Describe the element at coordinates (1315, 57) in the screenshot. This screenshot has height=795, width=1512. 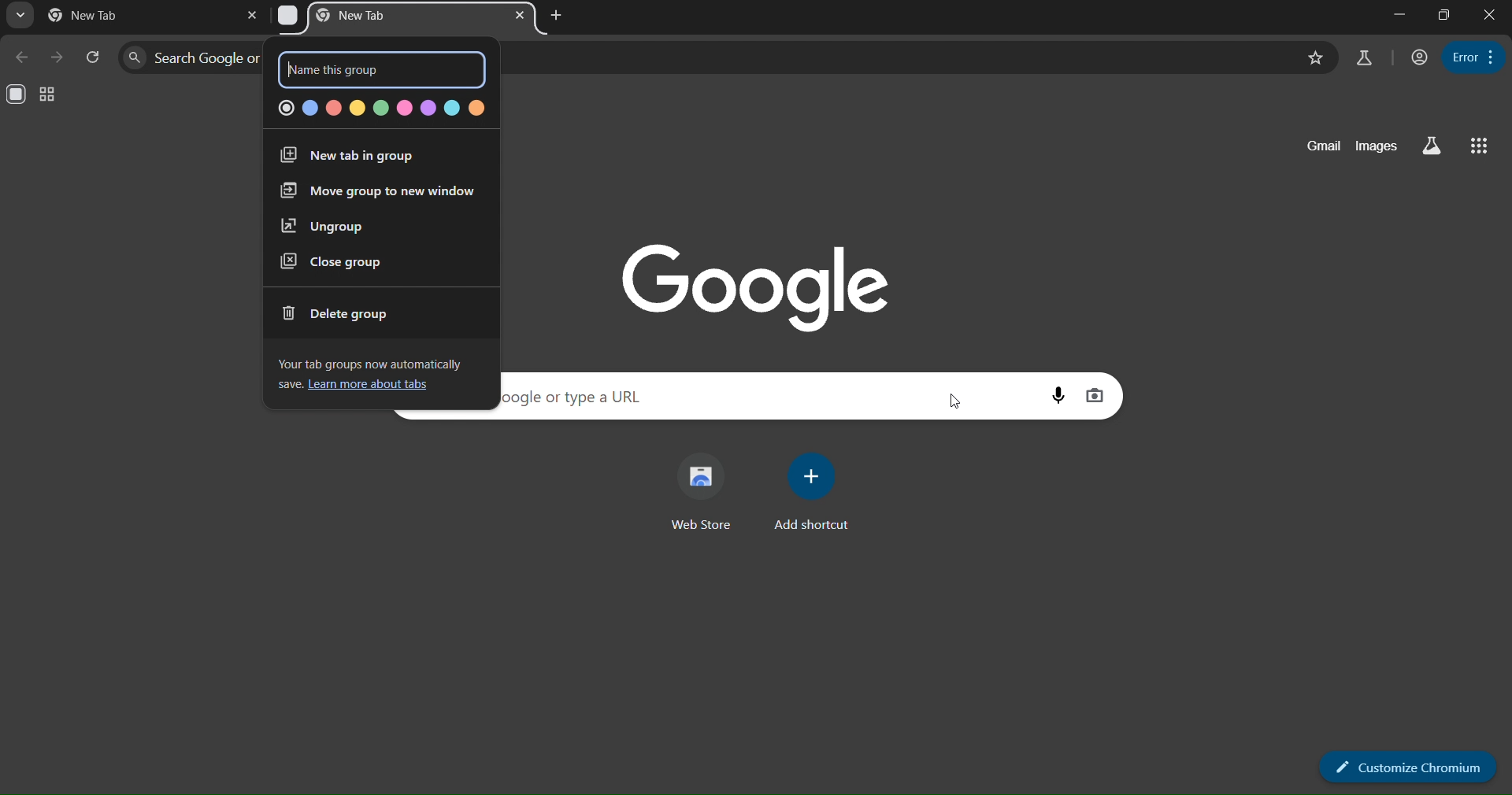
I see `bookmark this page` at that location.